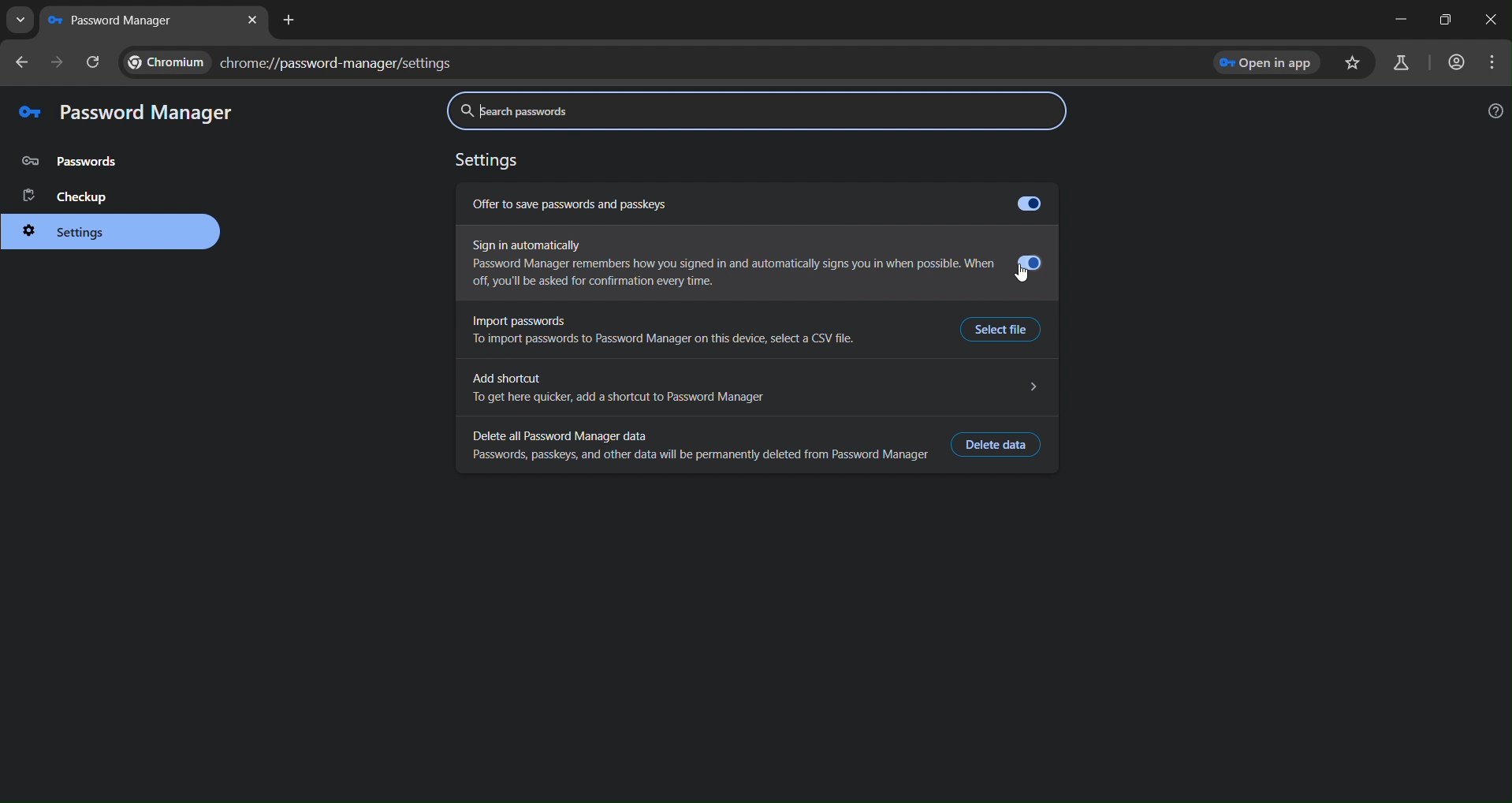 Image resolution: width=1512 pixels, height=803 pixels. Describe the element at coordinates (58, 65) in the screenshot. I see `go forward one page` at that location.